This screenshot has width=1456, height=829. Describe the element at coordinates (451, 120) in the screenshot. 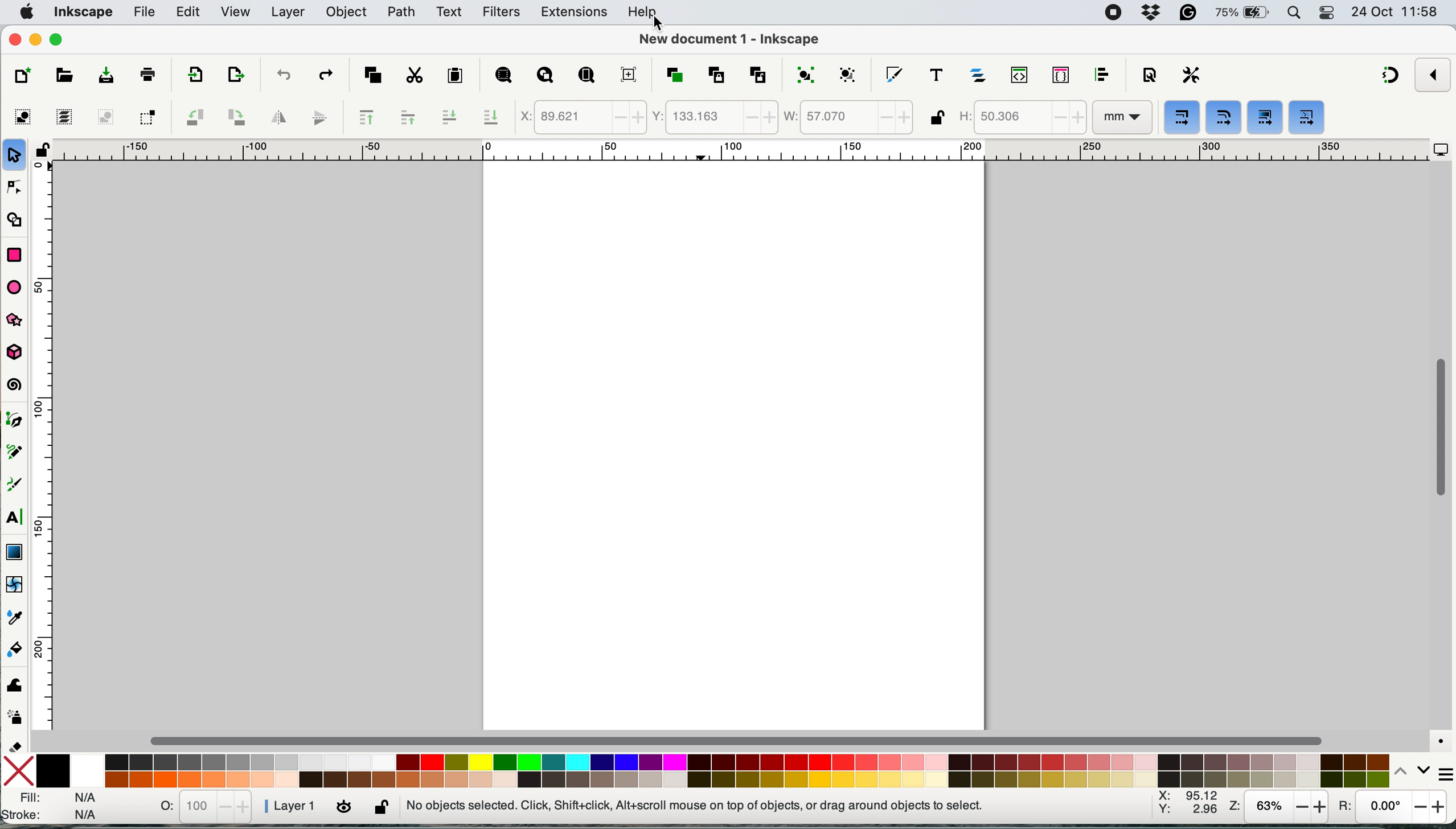

I see `lower selection one step` at that location.